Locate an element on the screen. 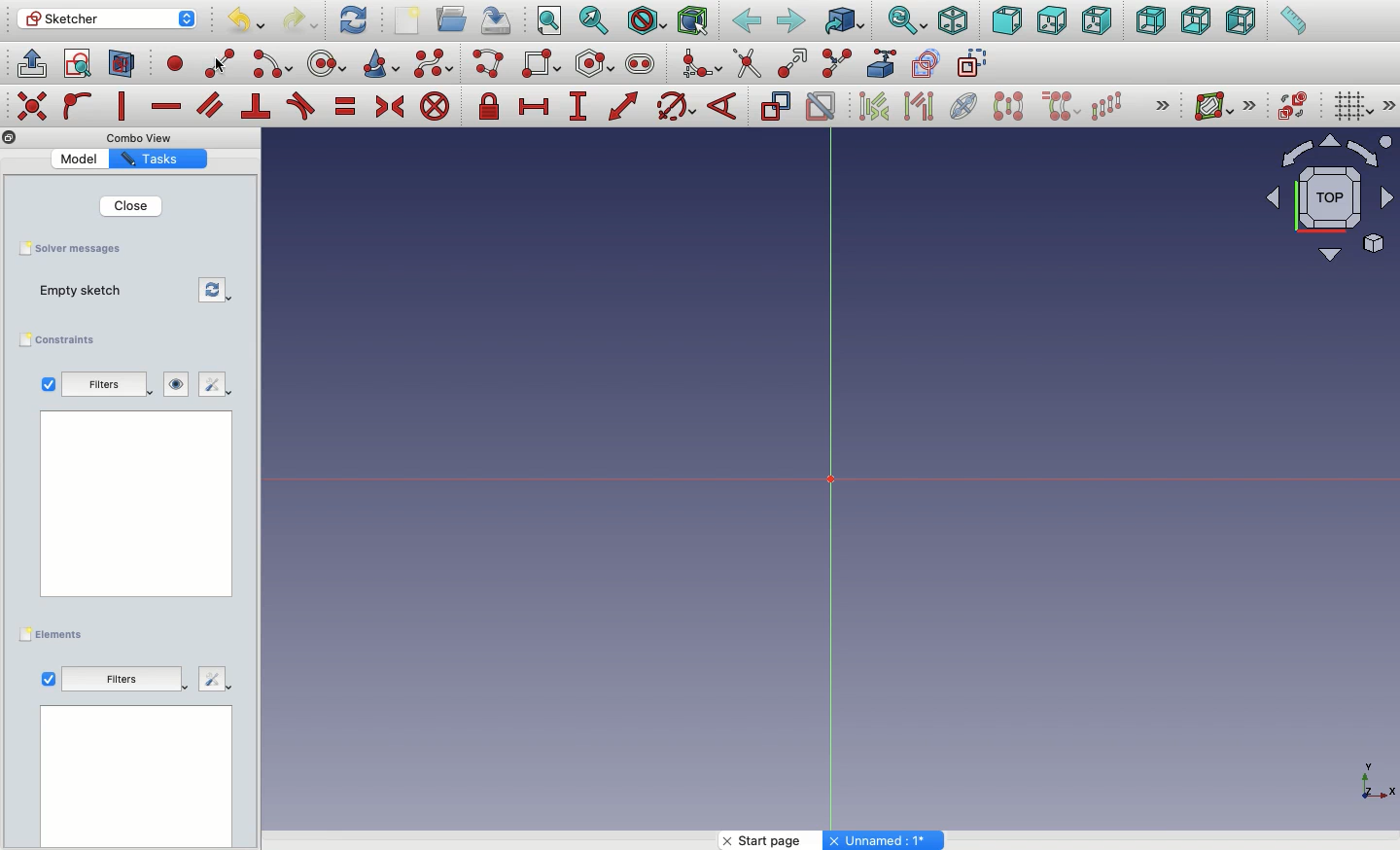 Image resolution: width=1400 pixels, height=850 pixels. Show/hide B-spline information layer is located at coordinates (1213, 106).